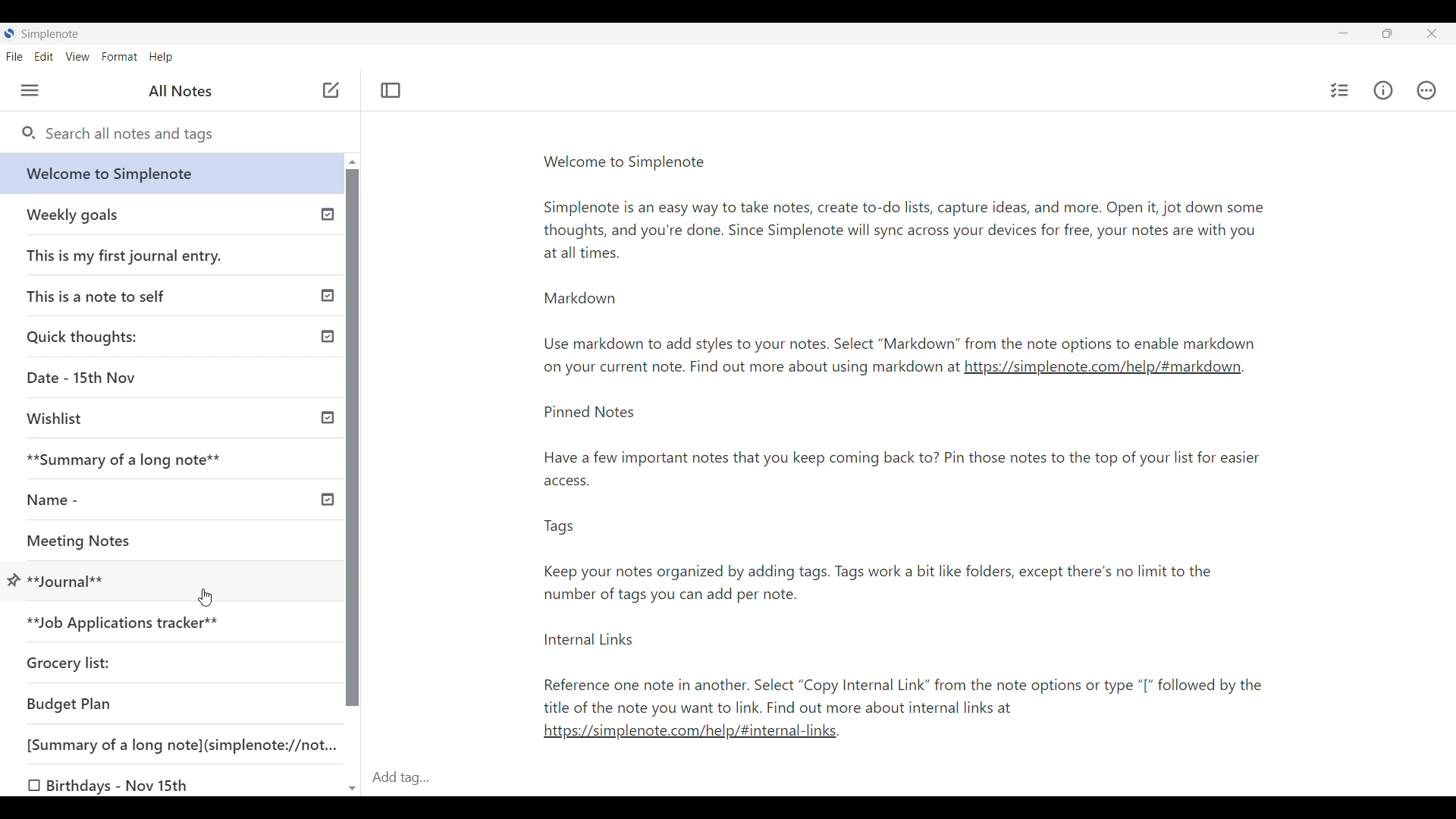  What do you see at coordinates (331, 89) in the screenshot?
I see `Add new note` at bounding box center [331, 89].